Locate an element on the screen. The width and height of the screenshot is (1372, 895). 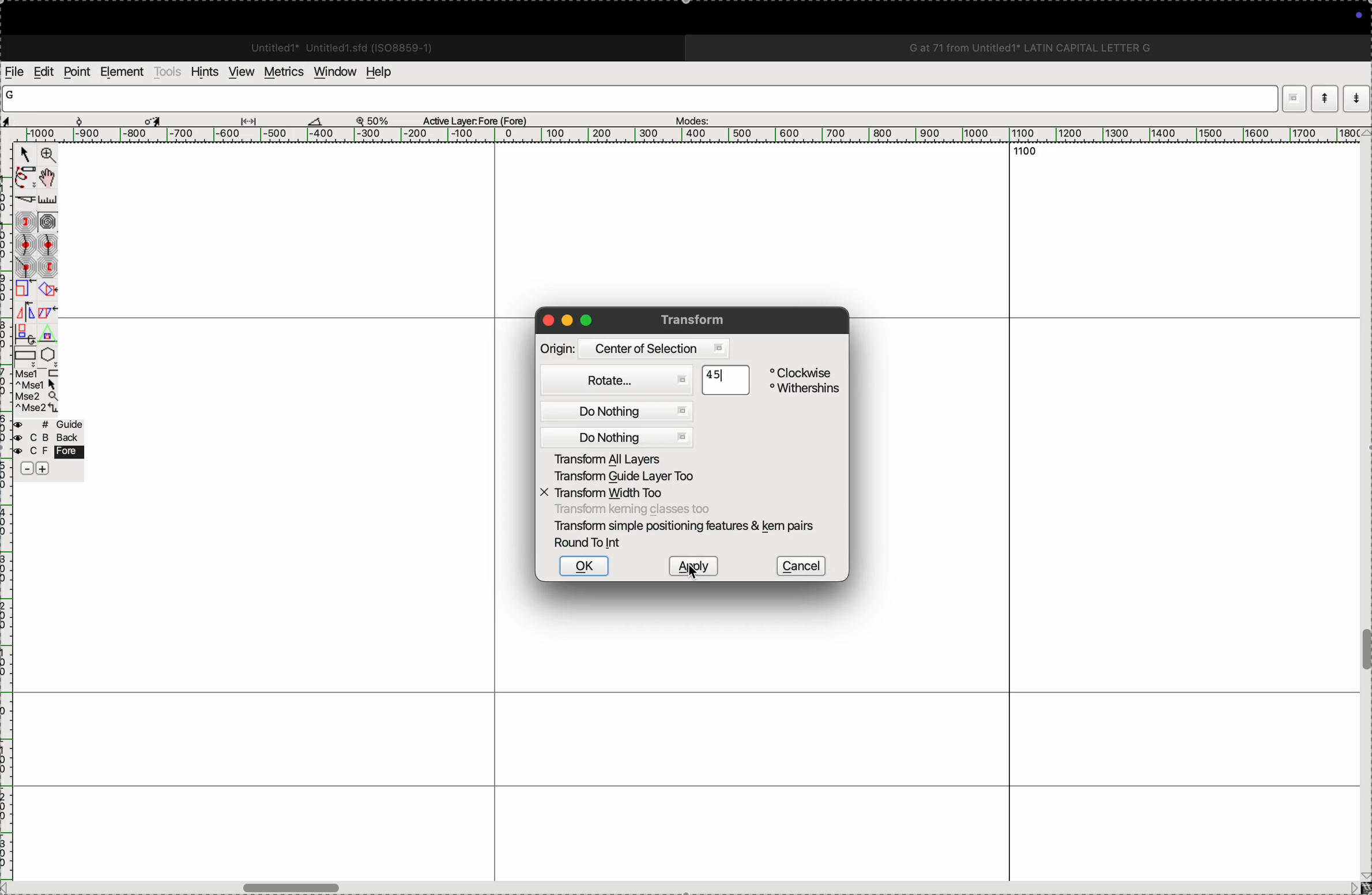
minimize is located at coordinates (566, 319).